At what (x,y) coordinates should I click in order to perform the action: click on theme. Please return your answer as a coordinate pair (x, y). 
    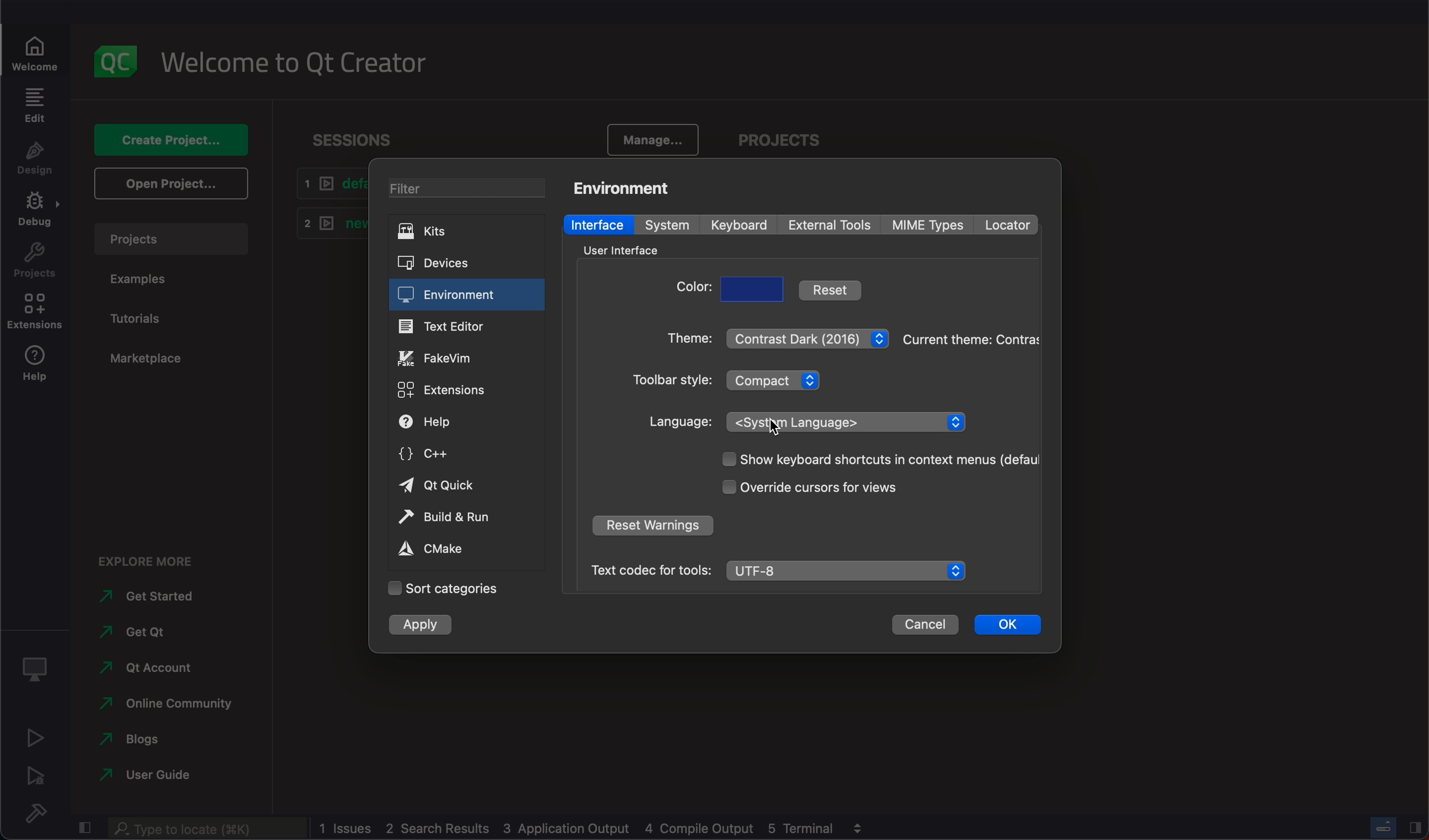
    Looking at the image, I should click on (684, 337).